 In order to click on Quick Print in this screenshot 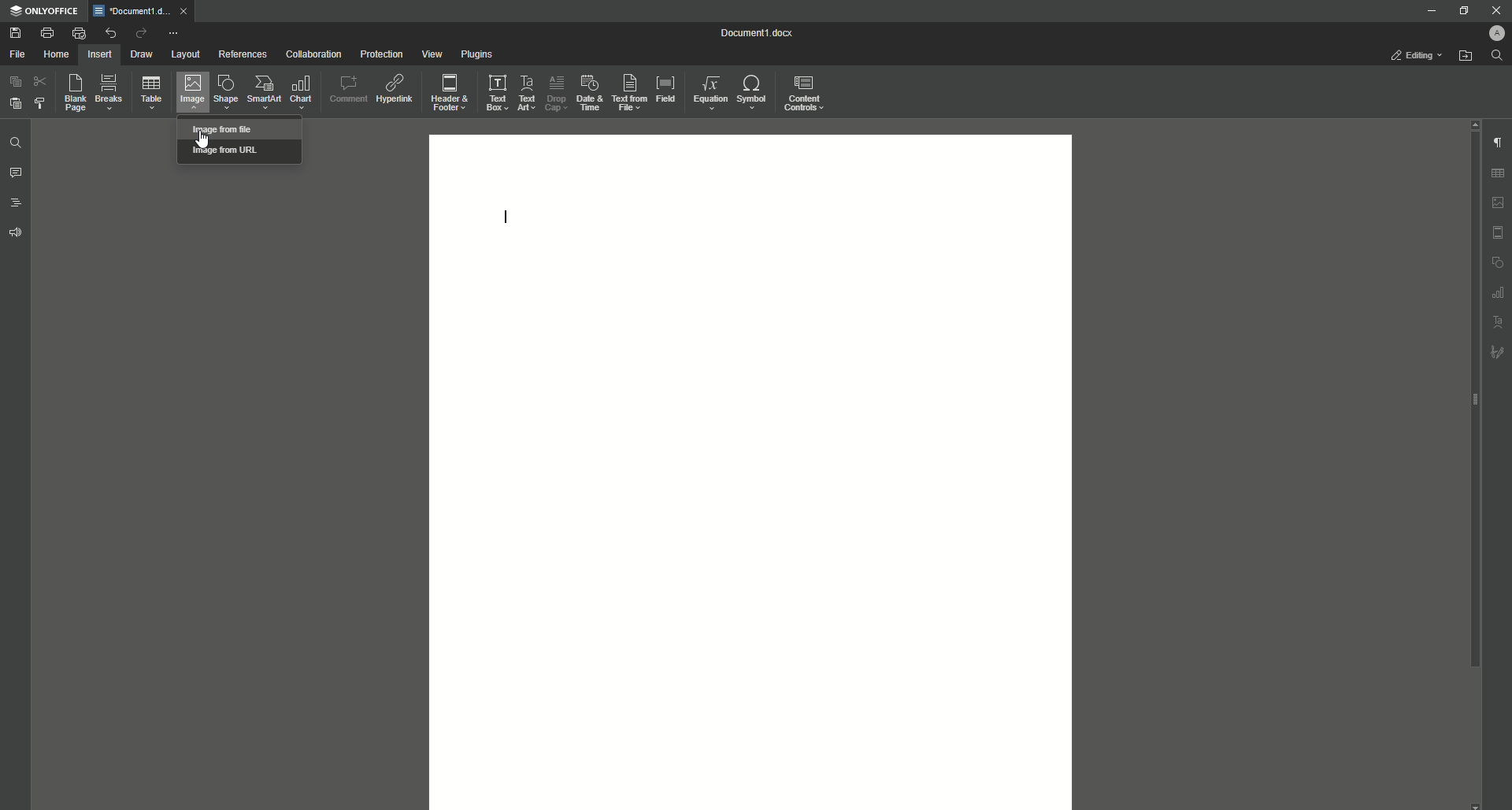, I will do `click(79, 34)`.